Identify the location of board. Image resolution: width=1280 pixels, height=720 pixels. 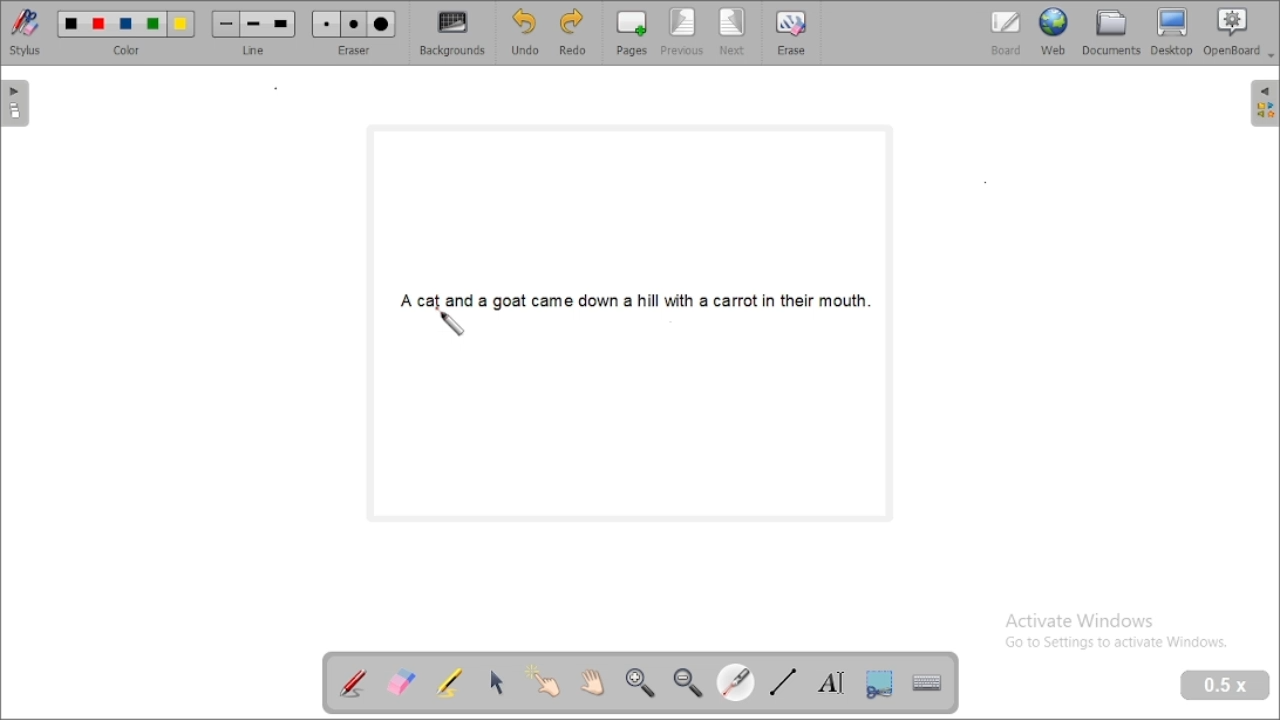
(1005, 34).